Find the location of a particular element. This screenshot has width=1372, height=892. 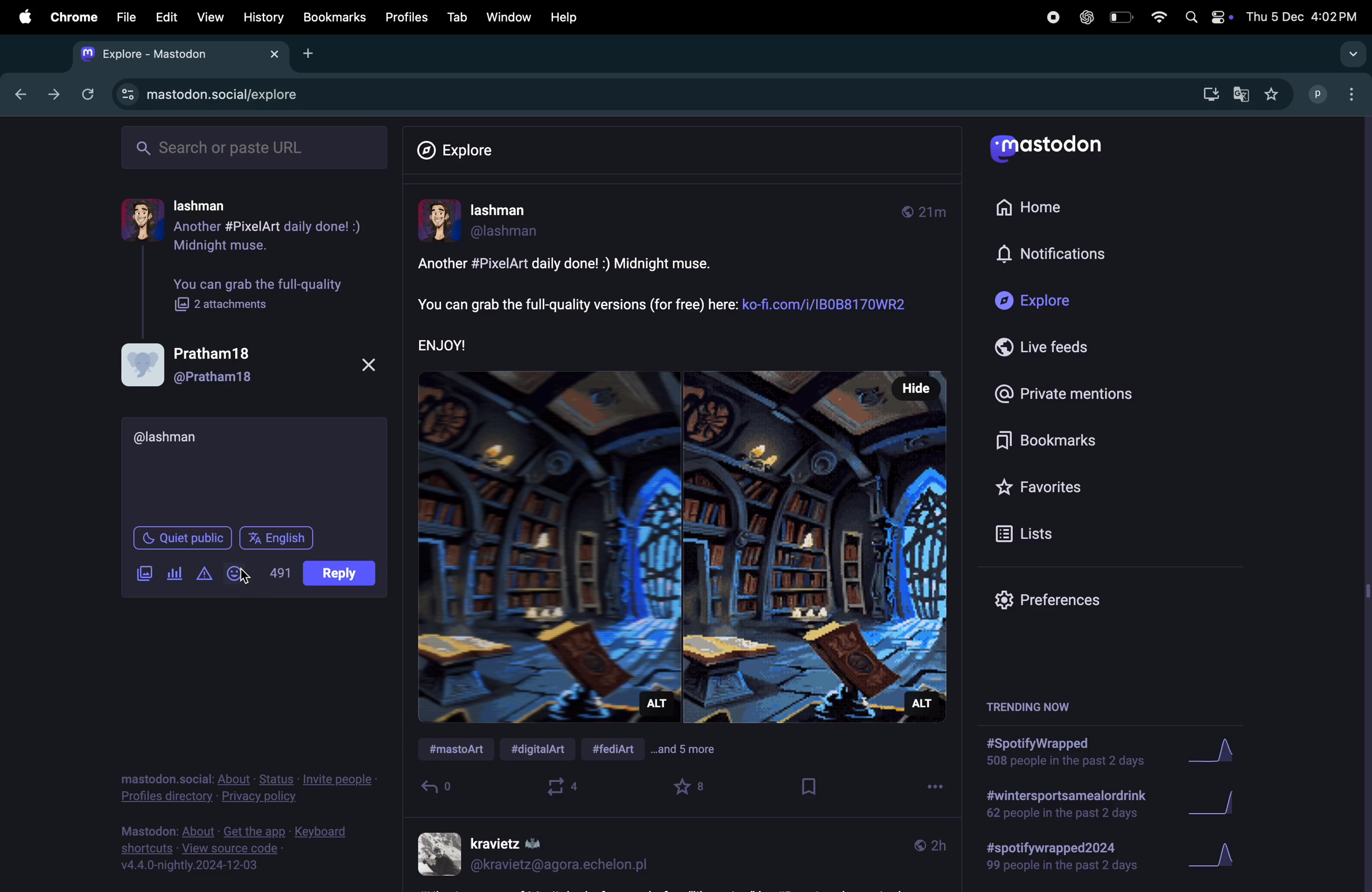

500 words is located at coordinates (280, 571).